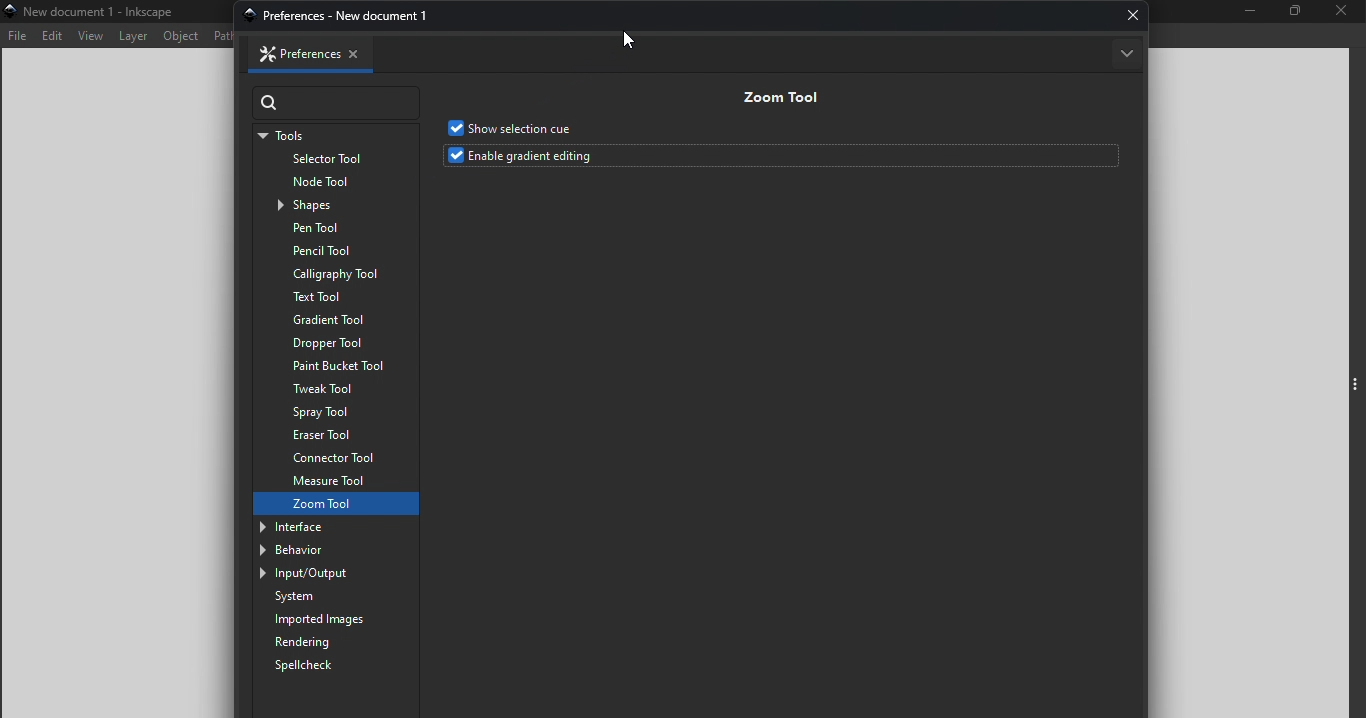  Describe the element at coordinates (329, 618) in the screenshot. I see `Imported images` at that location.